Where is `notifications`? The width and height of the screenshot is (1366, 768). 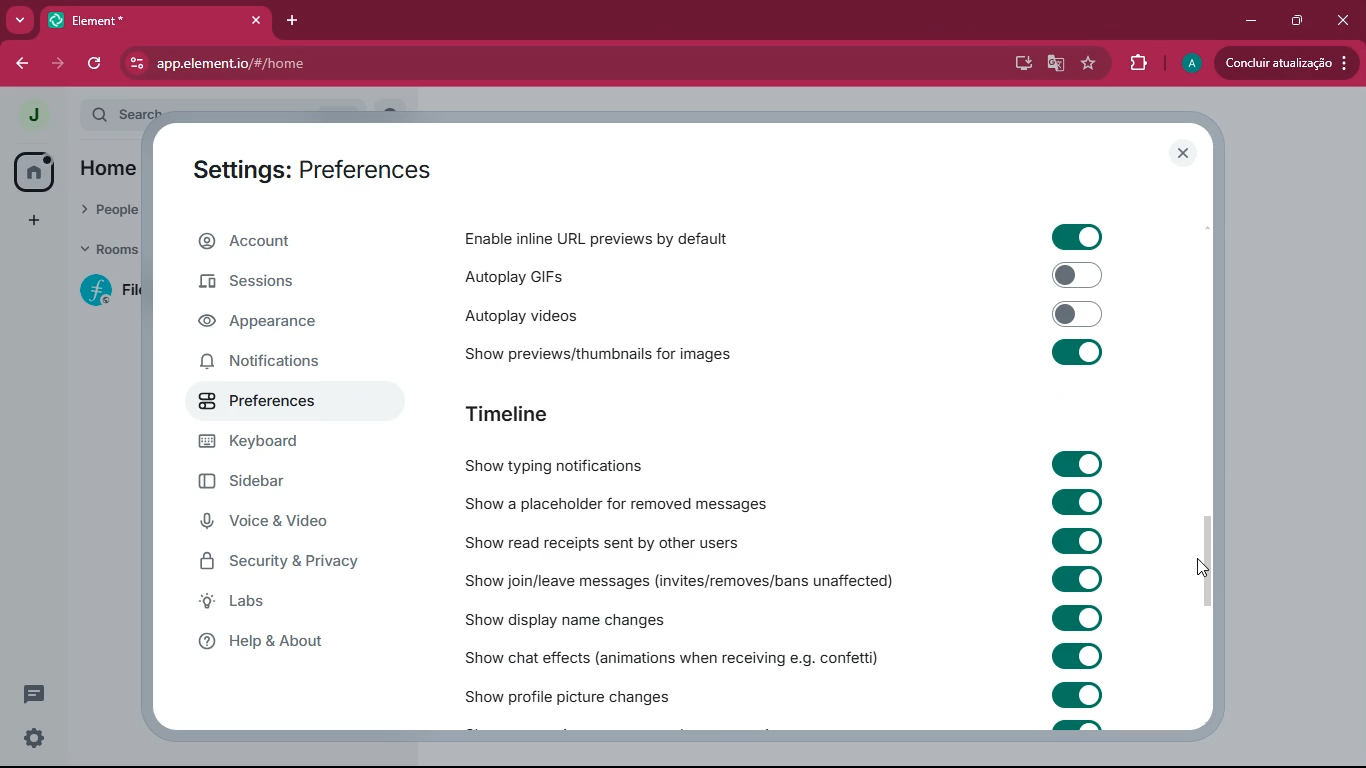 notifications is located at coordinates (278, 360).